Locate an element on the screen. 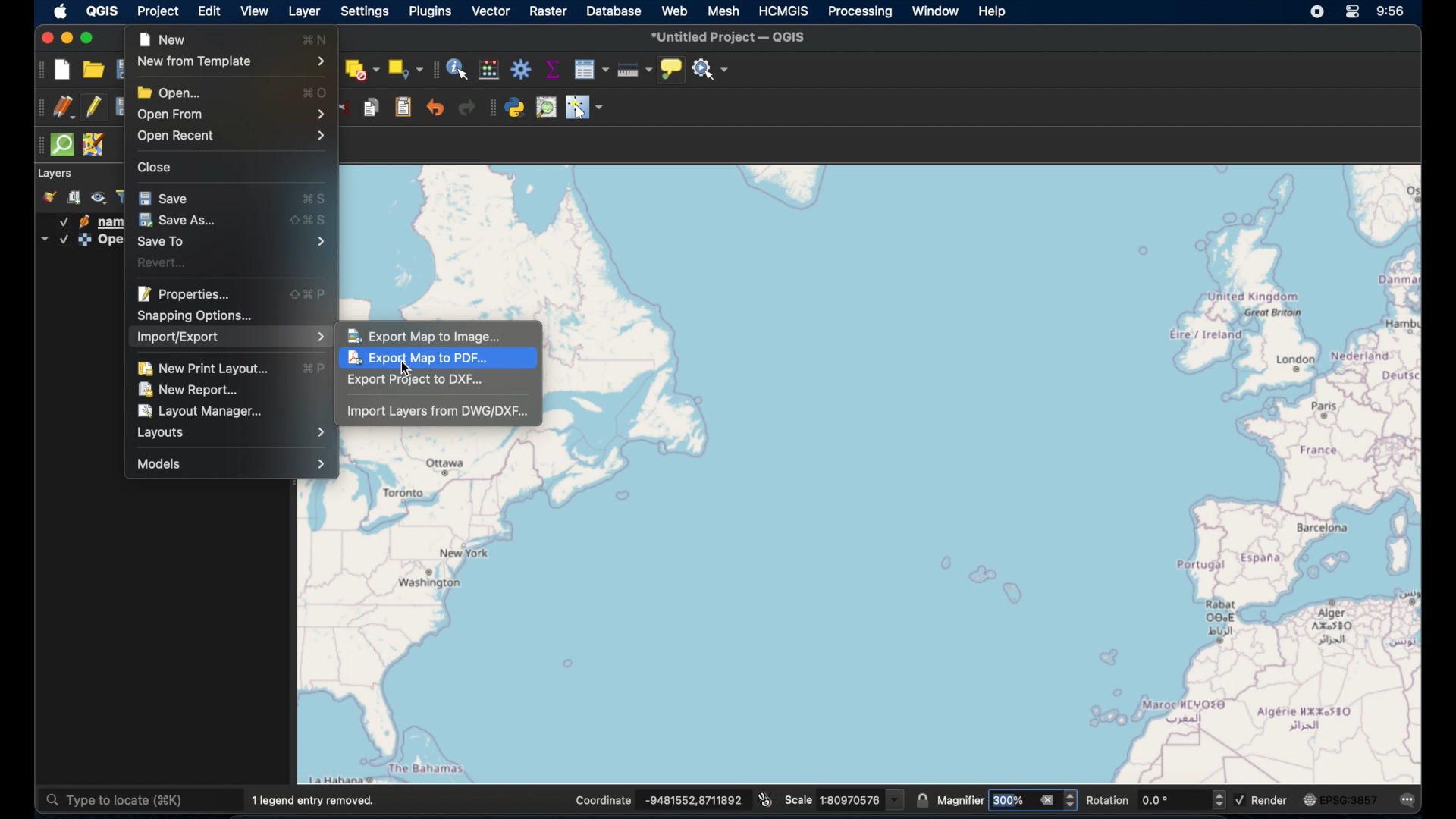 The width and height of the screenshot is (1456, 819). new is located at coordinates (162, 39).